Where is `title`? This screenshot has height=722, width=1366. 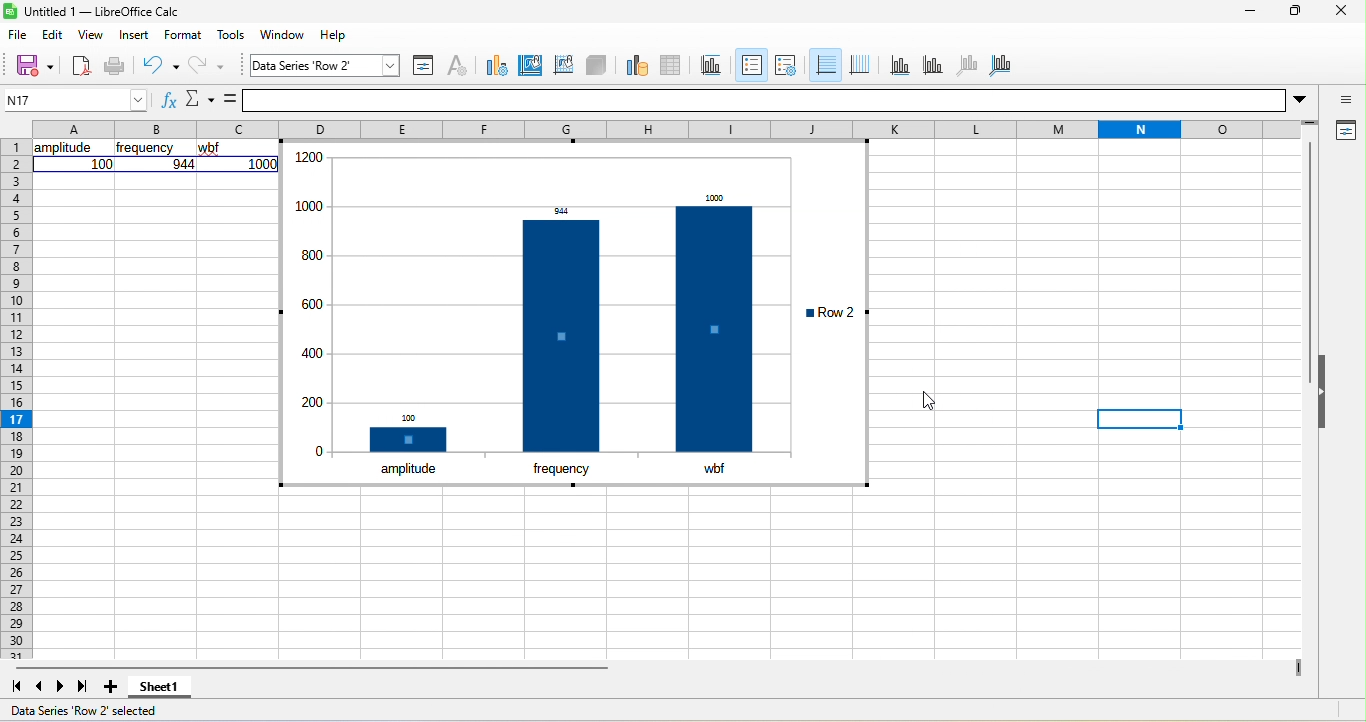 title is located at coordinates (709, 69).